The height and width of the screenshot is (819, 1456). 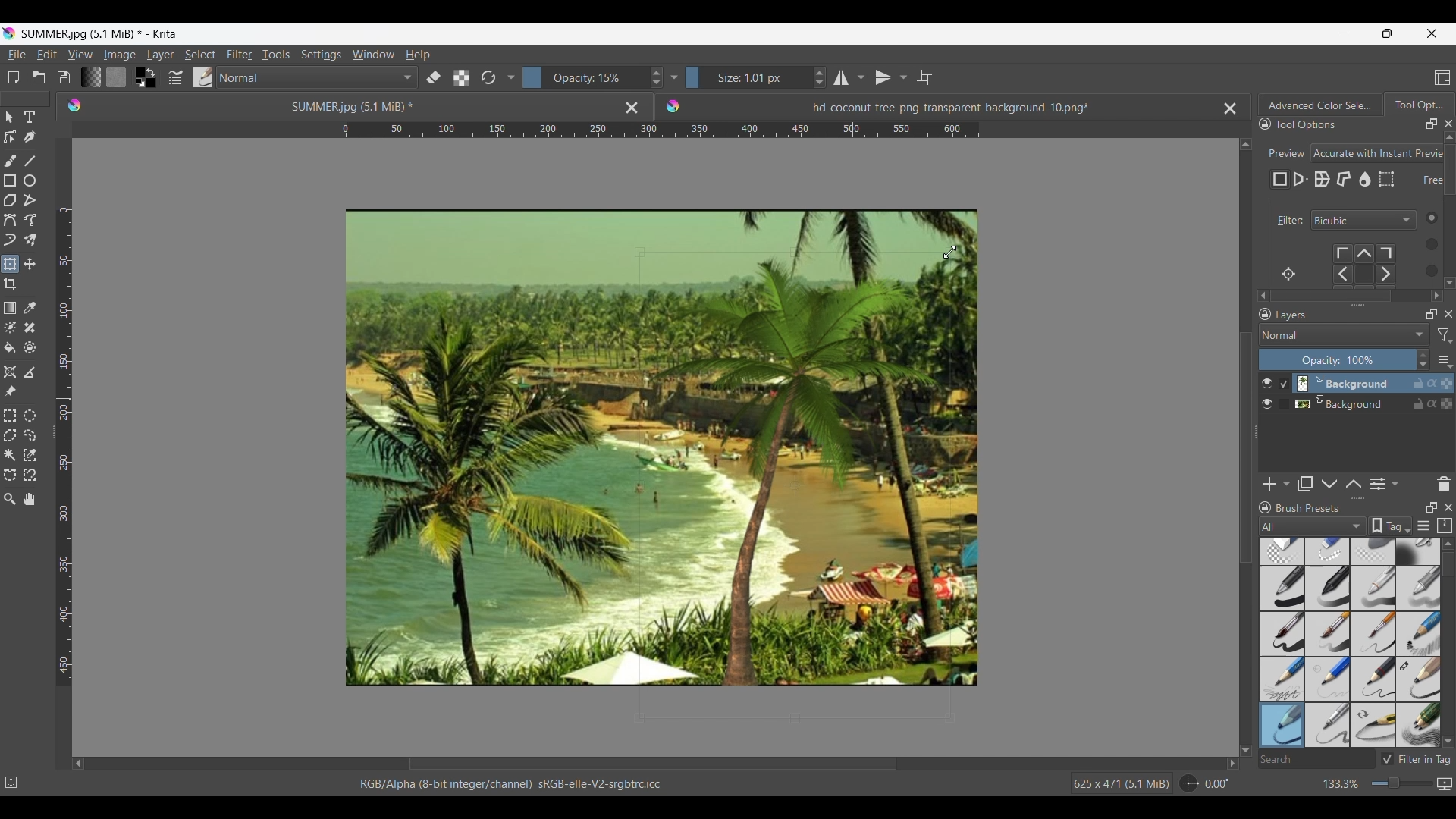 What do you see at coordinates (1246, 741) in the screenshot?
I see `Down` at bounding box center [1246, 741].